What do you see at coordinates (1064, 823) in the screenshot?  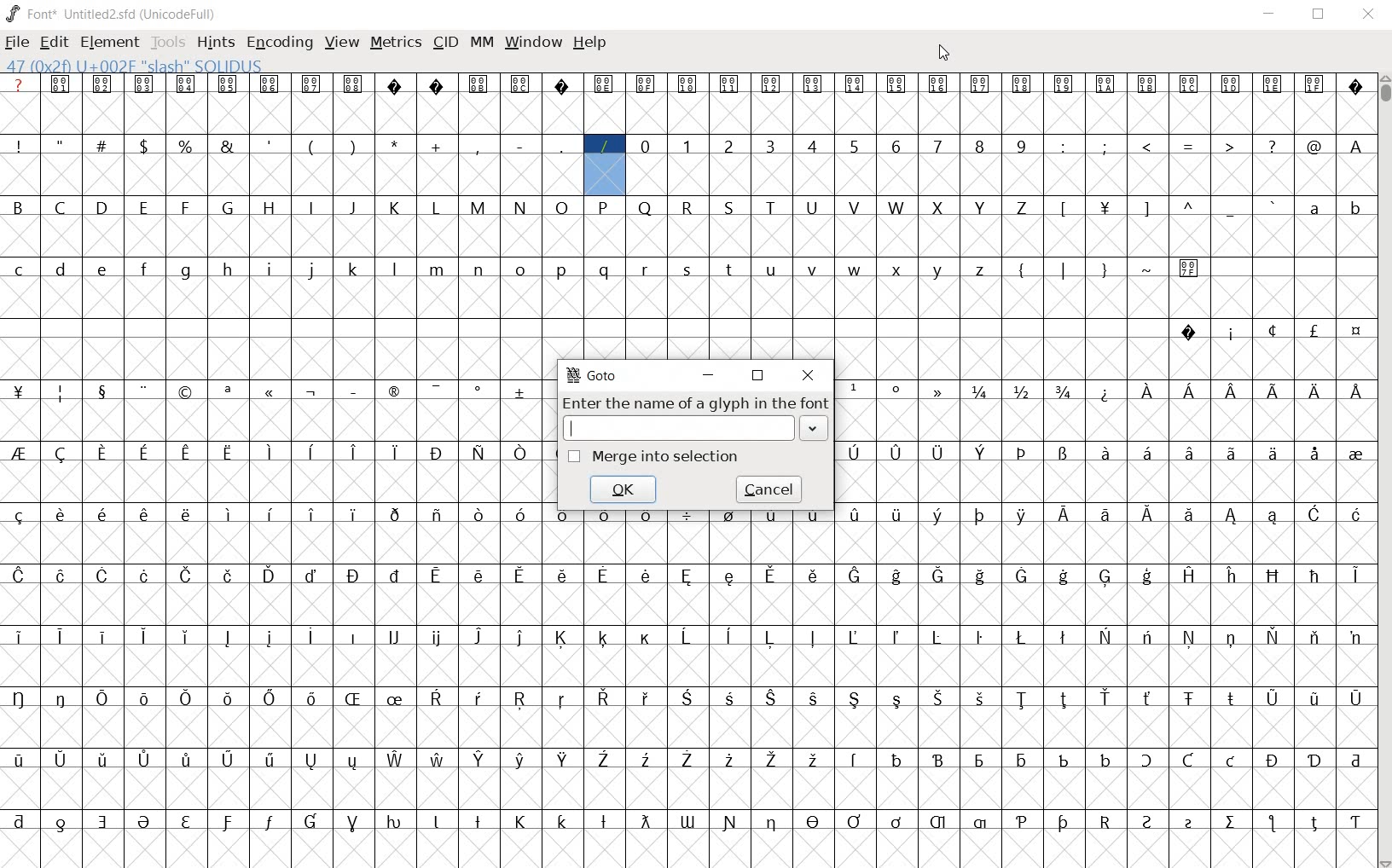 I see `glyph` at bounding box center [1064, 823].